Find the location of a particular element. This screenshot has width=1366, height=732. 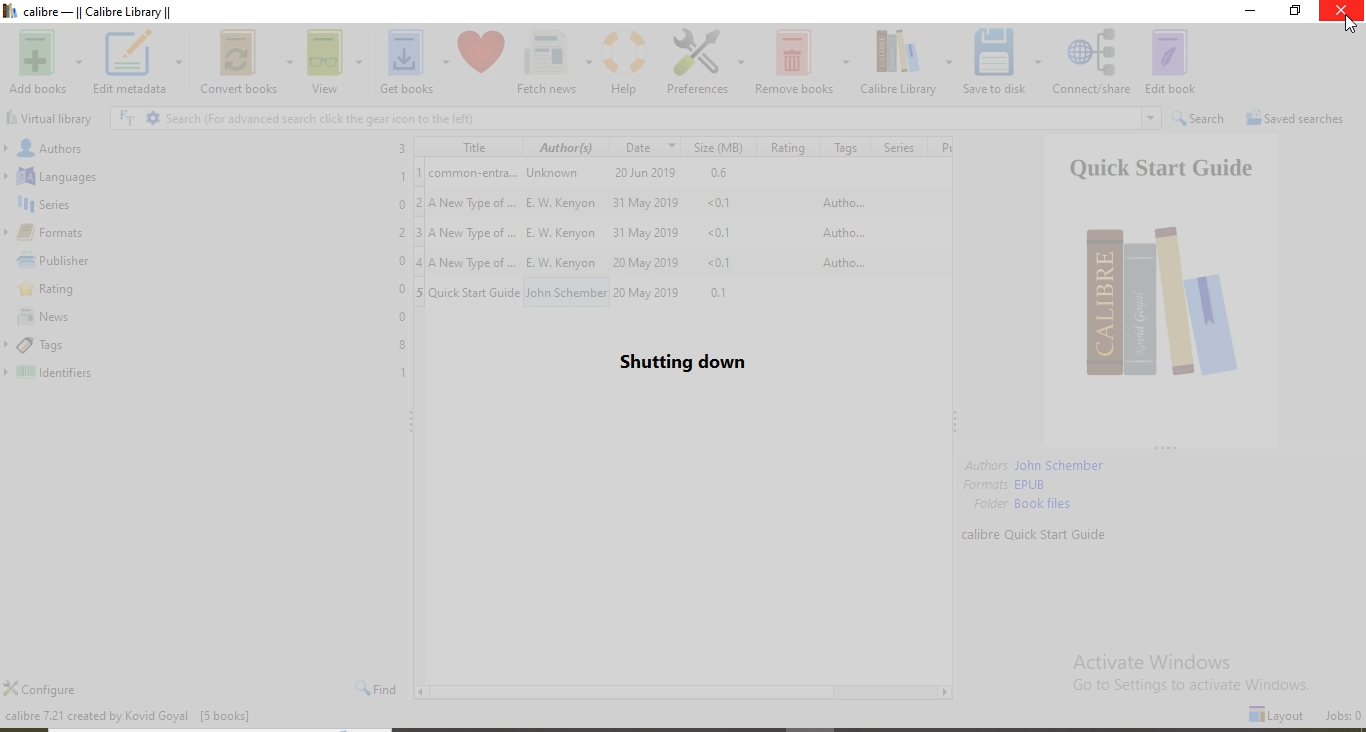

Unknown is located at coordinates (564, 173).